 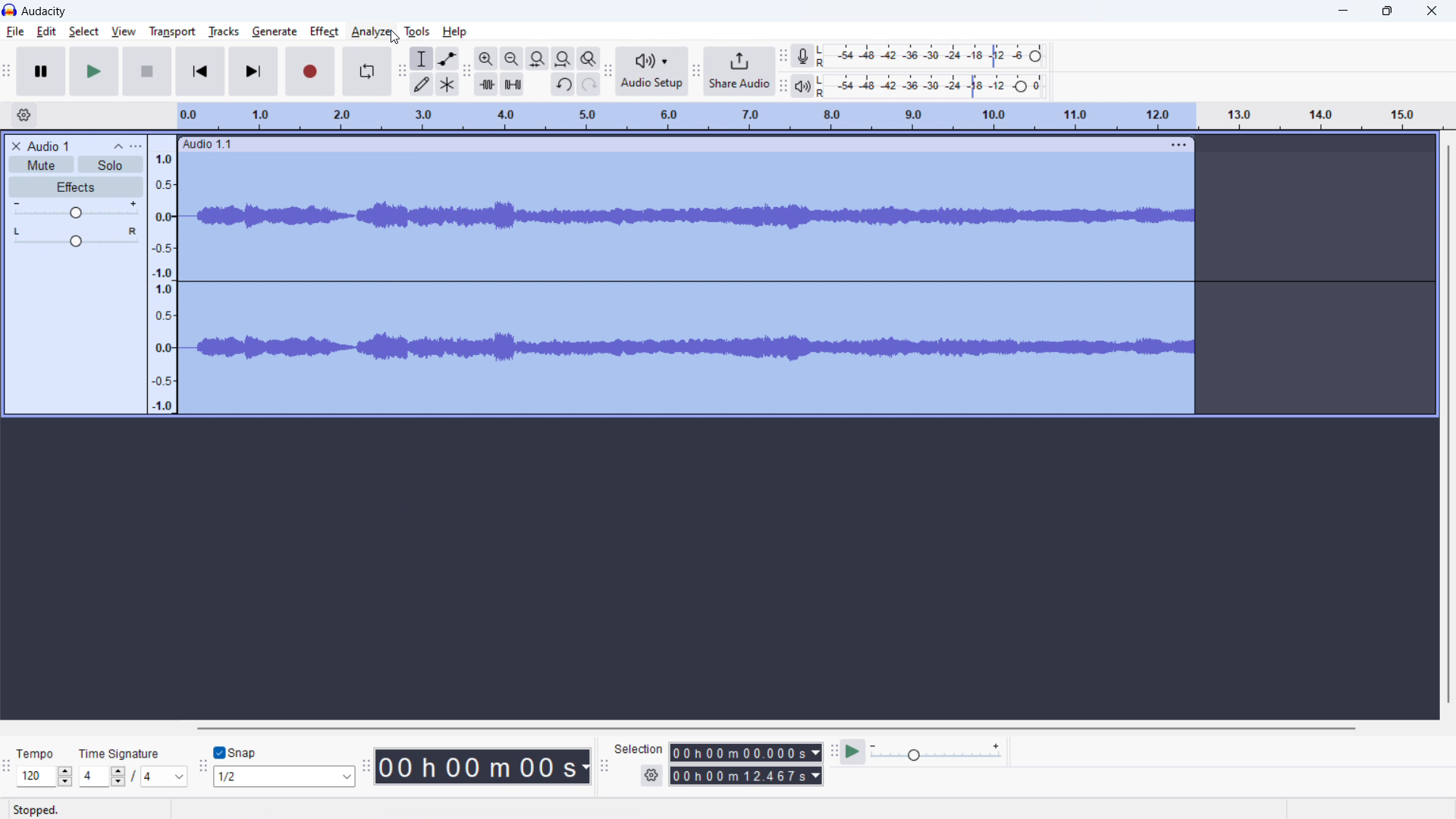 I want to click on horizontal toolbar, so click(x=778, y=728).